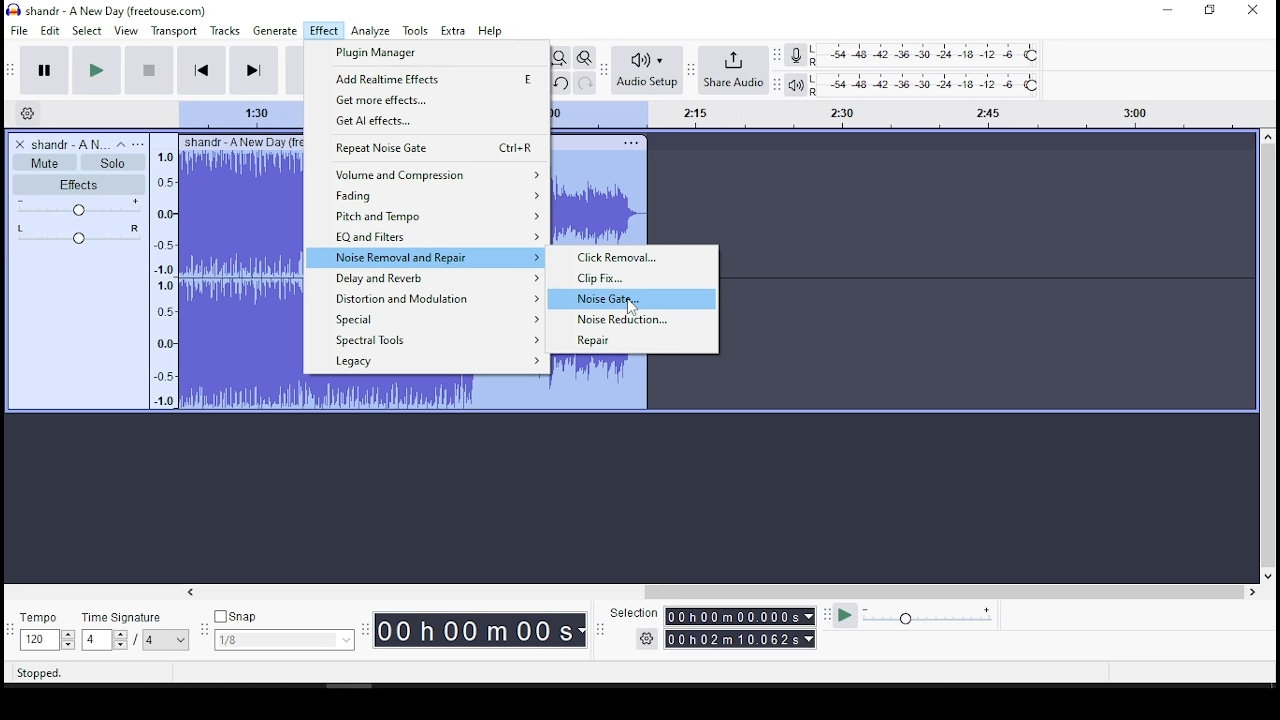 The image size is (1280, 720). Describe the element at coordinates (283, 631) in the screenshot. I see `snap` at that location.